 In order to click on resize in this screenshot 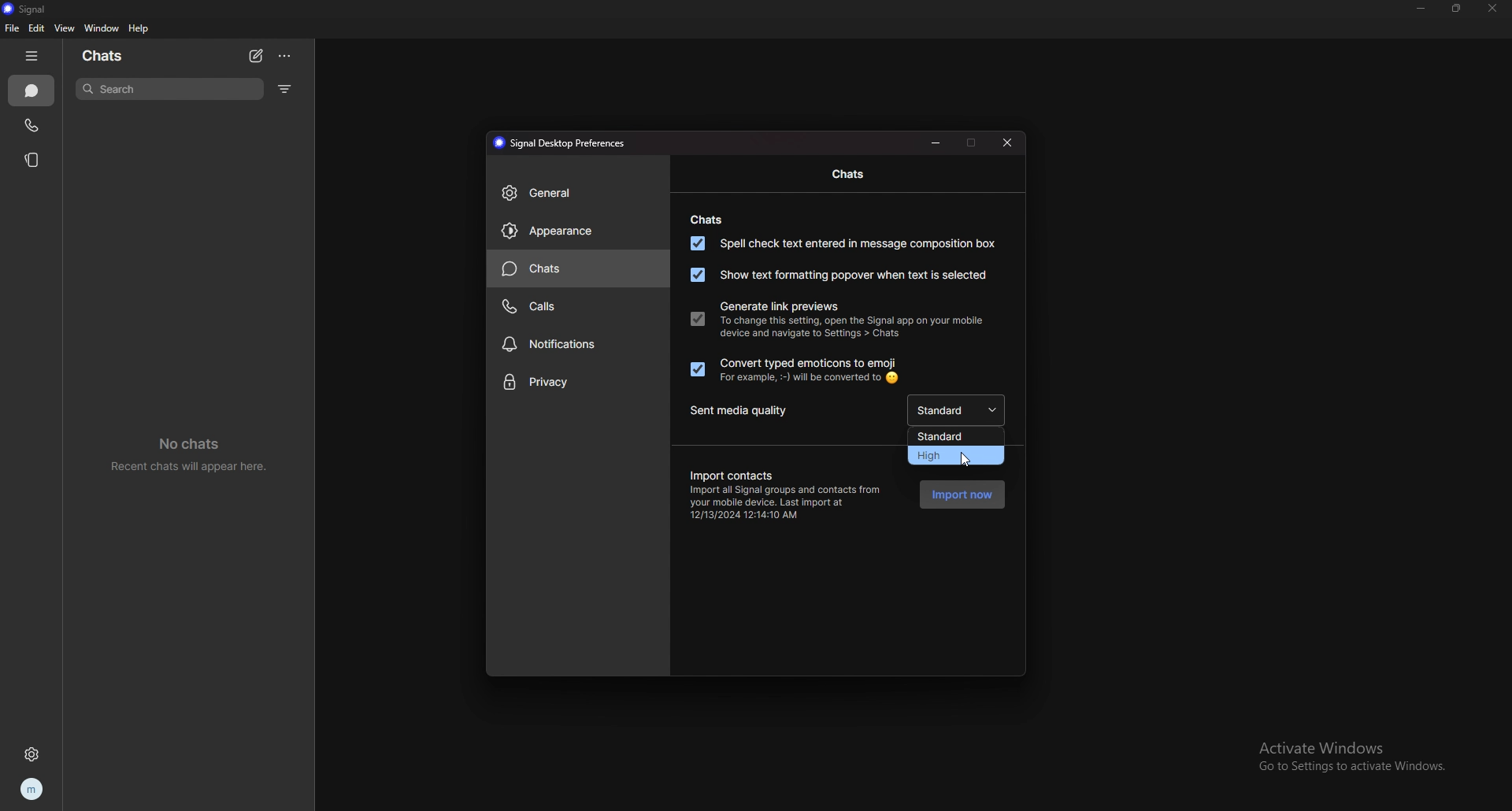, I will do `click(1457, 7)`.